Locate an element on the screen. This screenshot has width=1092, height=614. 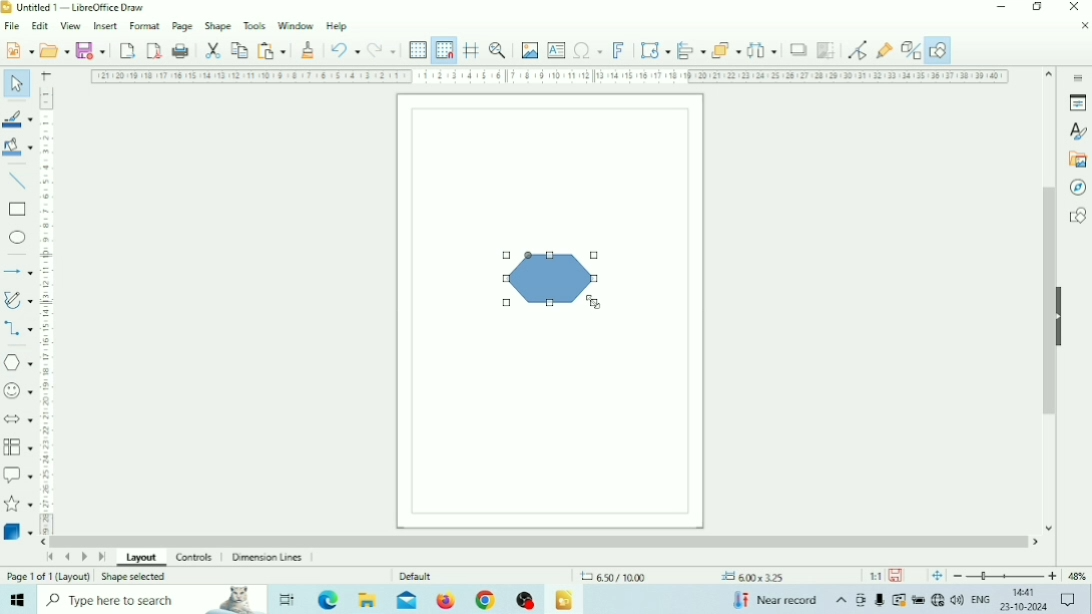
Stars and Banners is located at coordinates (19, 505).